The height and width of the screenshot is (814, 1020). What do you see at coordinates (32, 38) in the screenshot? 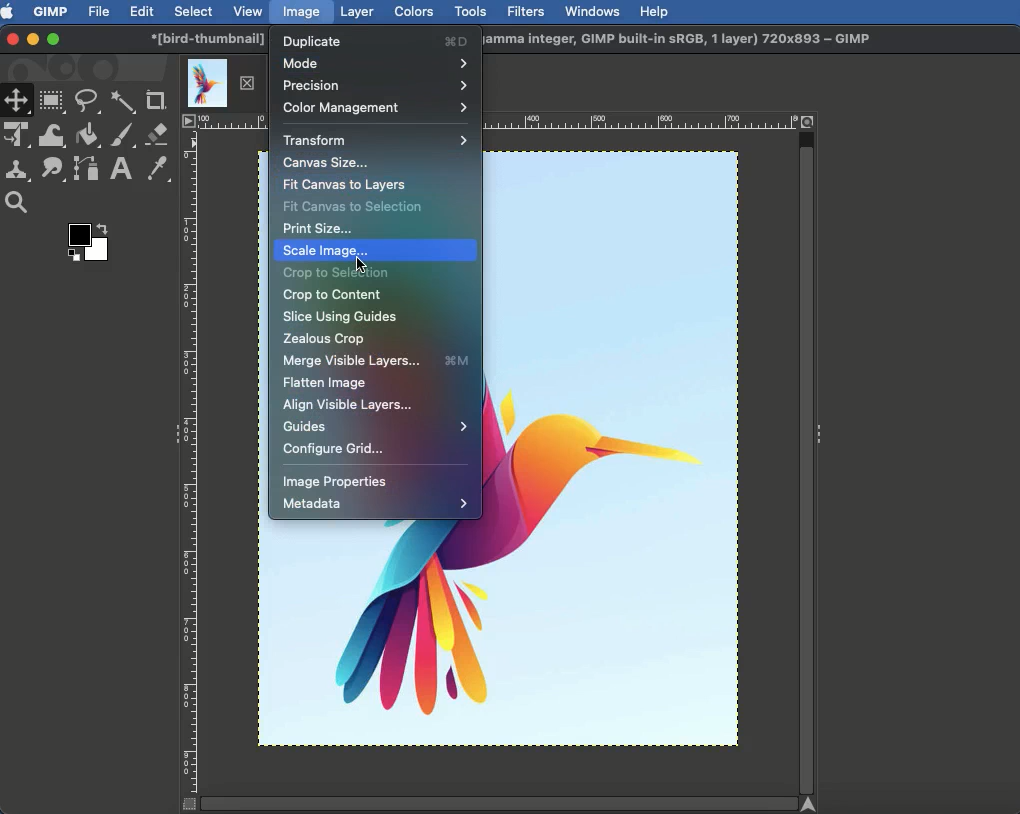
I see `Minimize` at bounding box center [32, 38].